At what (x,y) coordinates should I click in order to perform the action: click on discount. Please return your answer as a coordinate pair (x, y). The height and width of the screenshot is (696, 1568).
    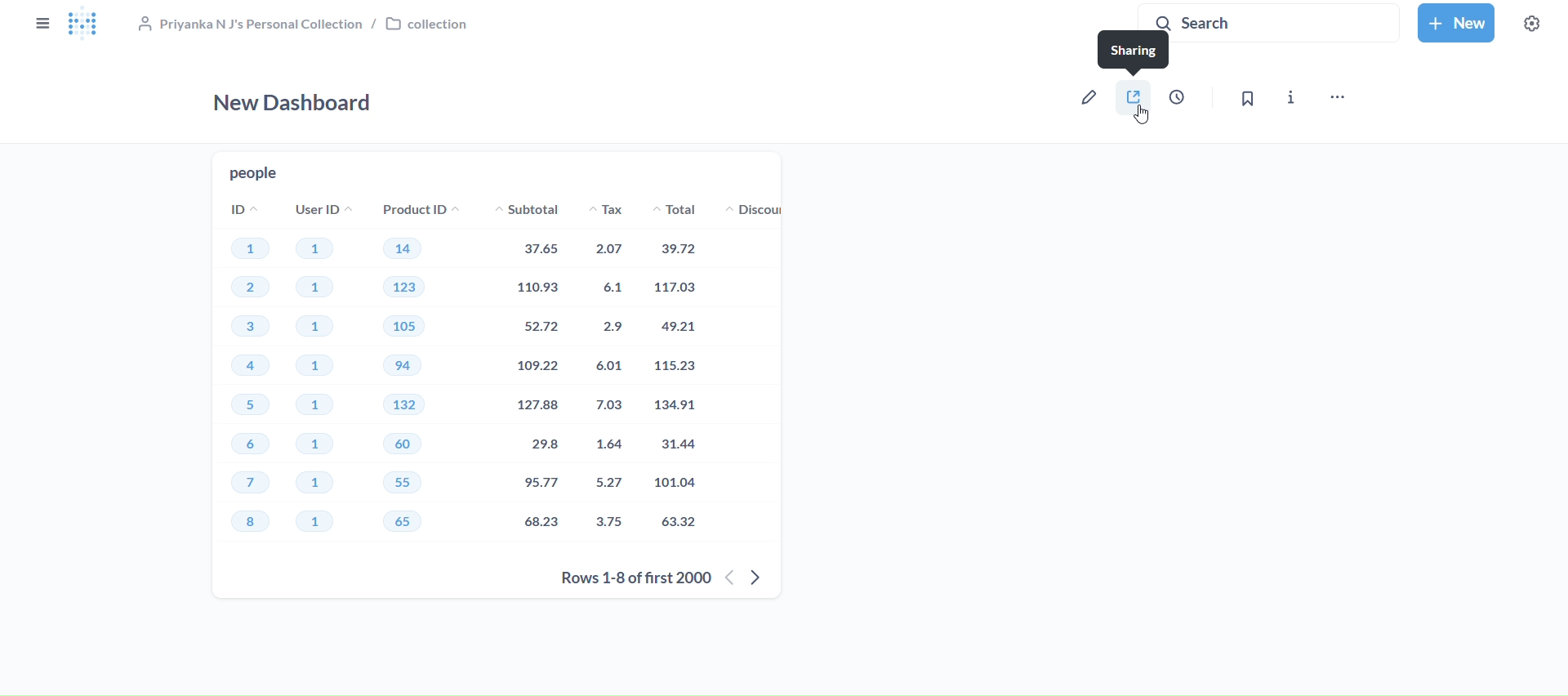
    Looking at the image, I should click on (755, 210).